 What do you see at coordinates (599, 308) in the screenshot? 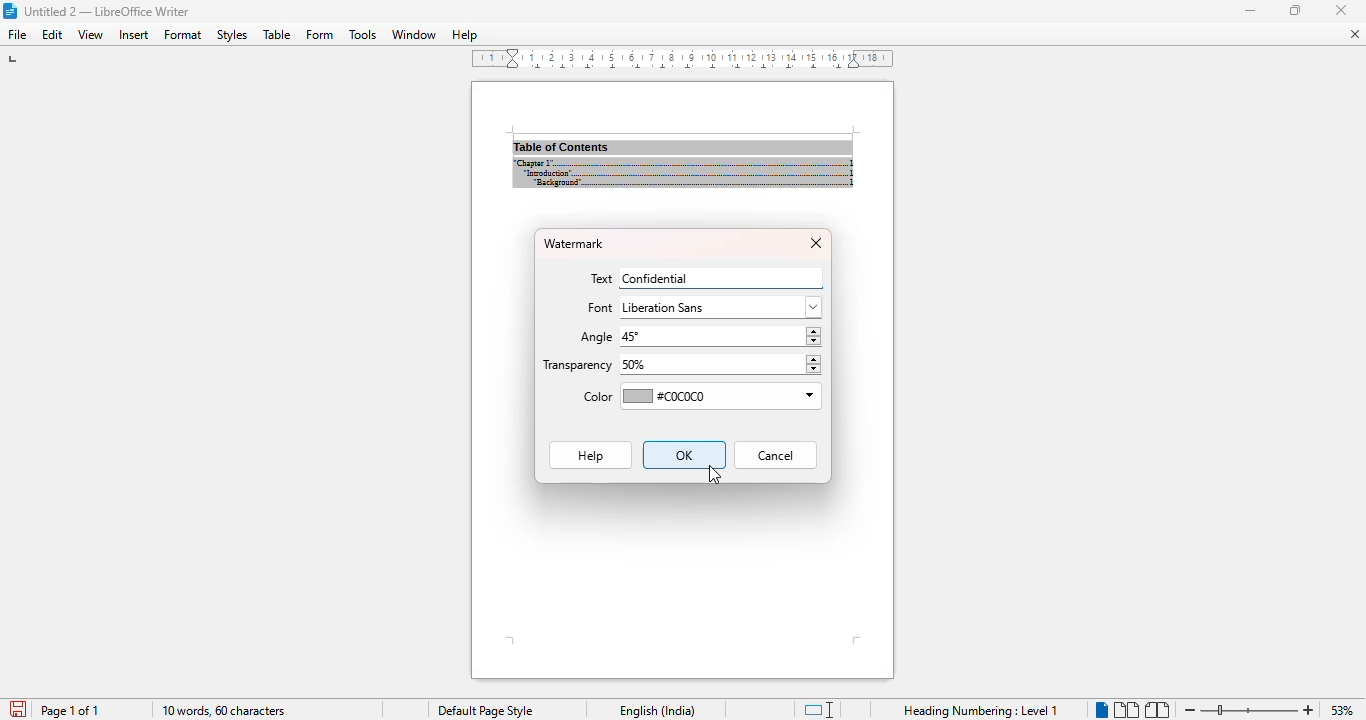
I see `font` at bounding box center [599, 308].